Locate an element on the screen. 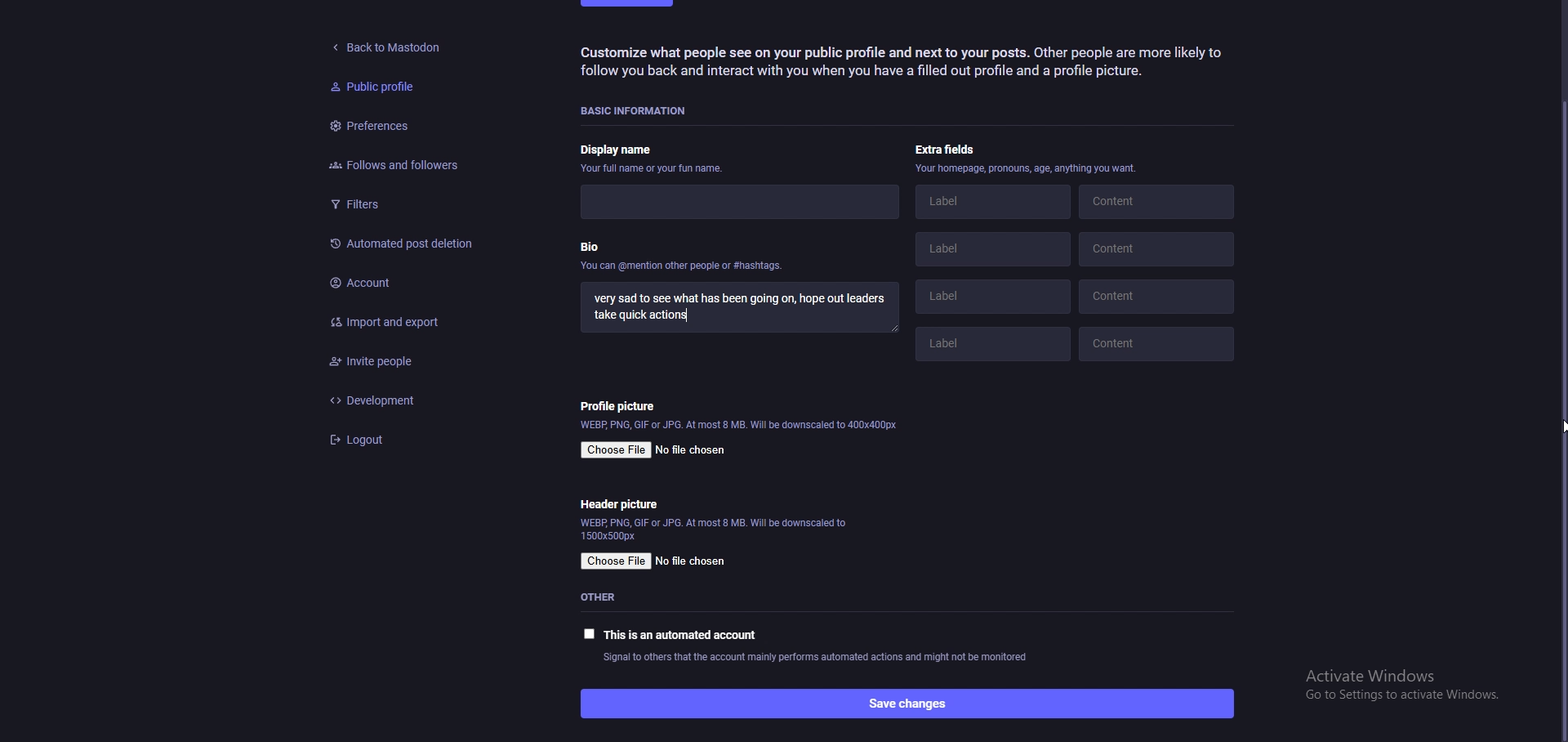  basic information is located at coordinates (641, 109).